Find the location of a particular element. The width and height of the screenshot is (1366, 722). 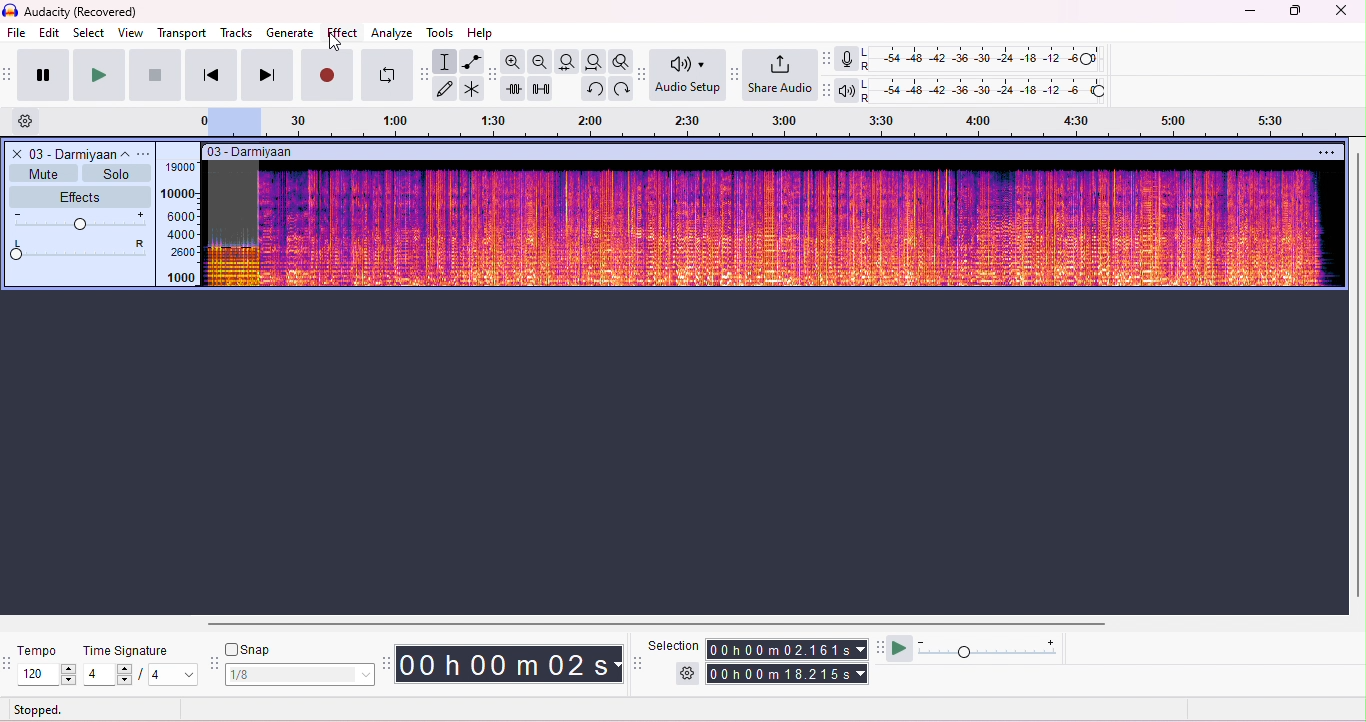

share audio is located at coordinates (779, 75).